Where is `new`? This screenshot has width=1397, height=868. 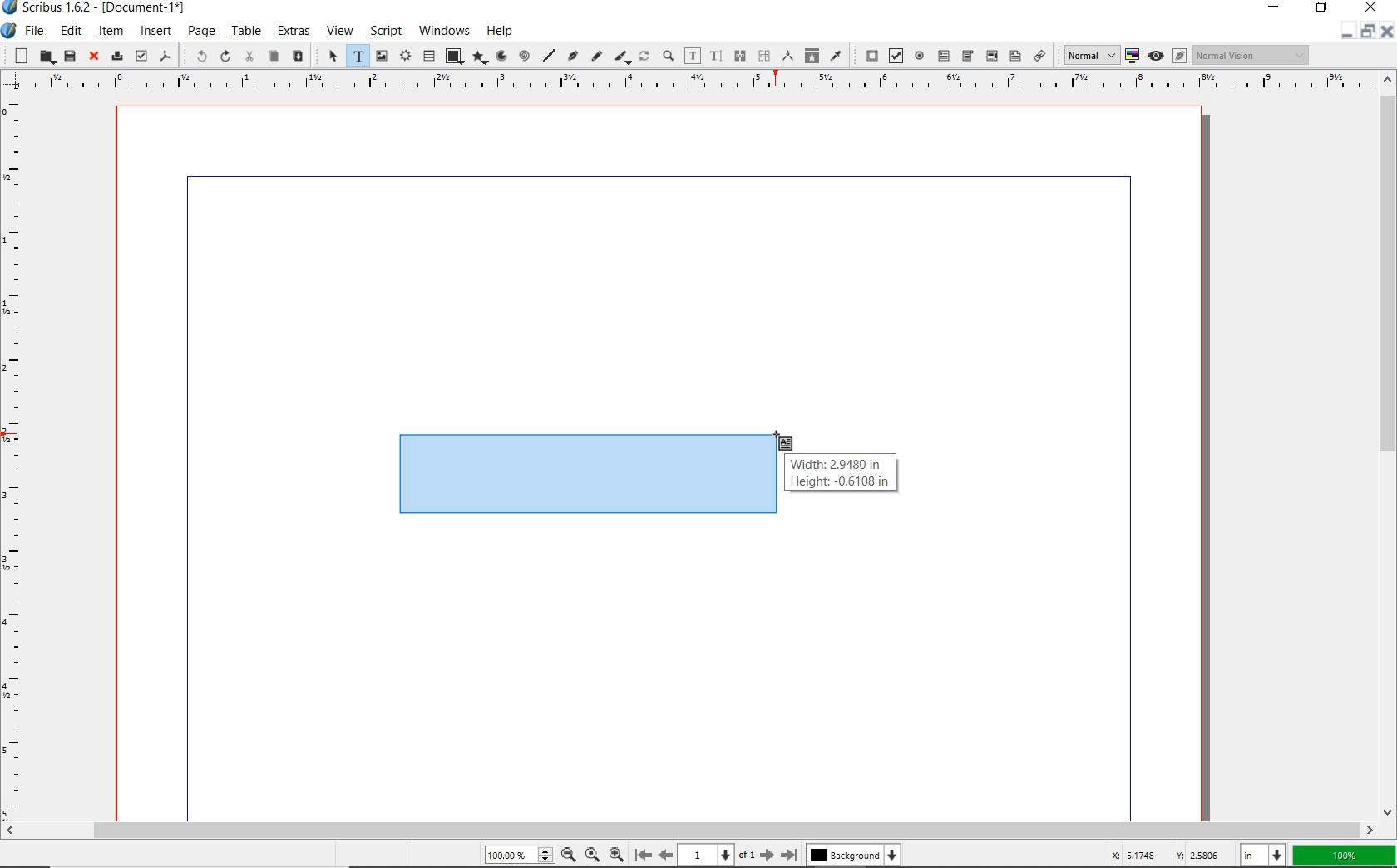 new is located at coordinates (17, 55).